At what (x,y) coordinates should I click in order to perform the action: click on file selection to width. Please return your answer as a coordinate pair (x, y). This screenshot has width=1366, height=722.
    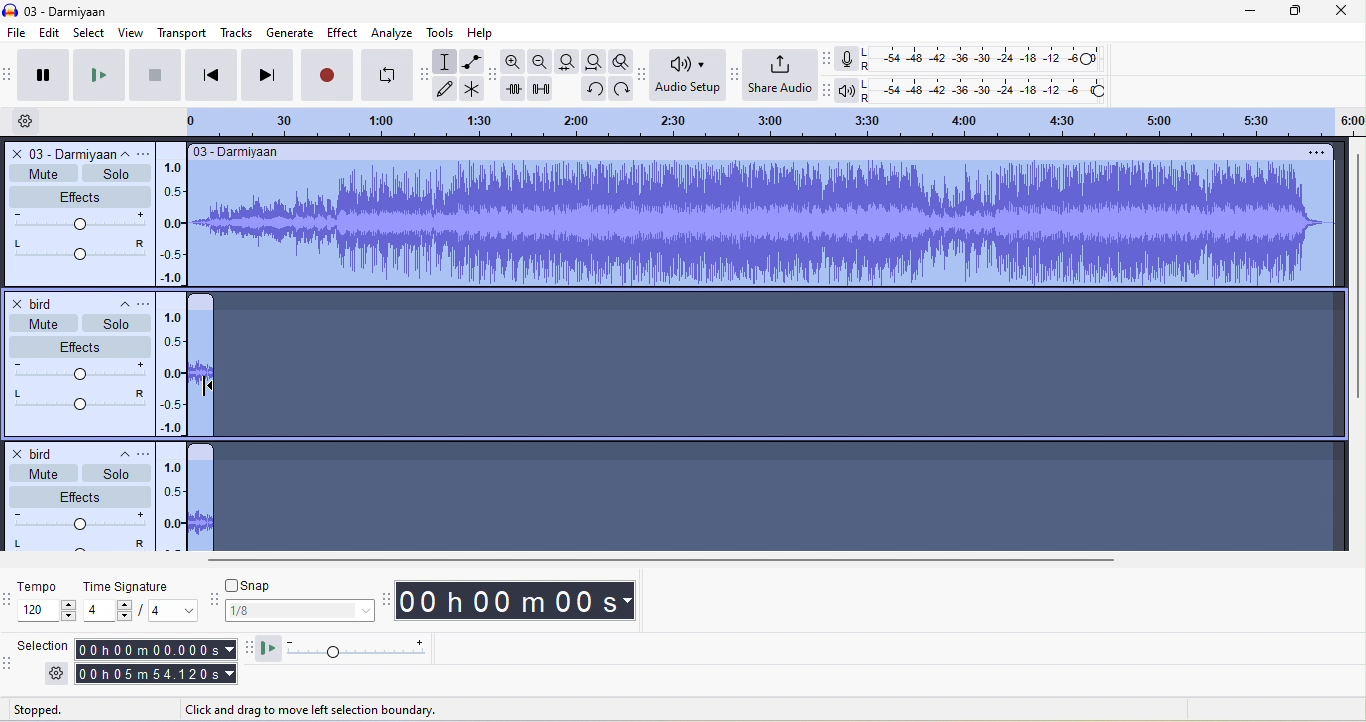
    Looking at the image, I should click on (570, 61).